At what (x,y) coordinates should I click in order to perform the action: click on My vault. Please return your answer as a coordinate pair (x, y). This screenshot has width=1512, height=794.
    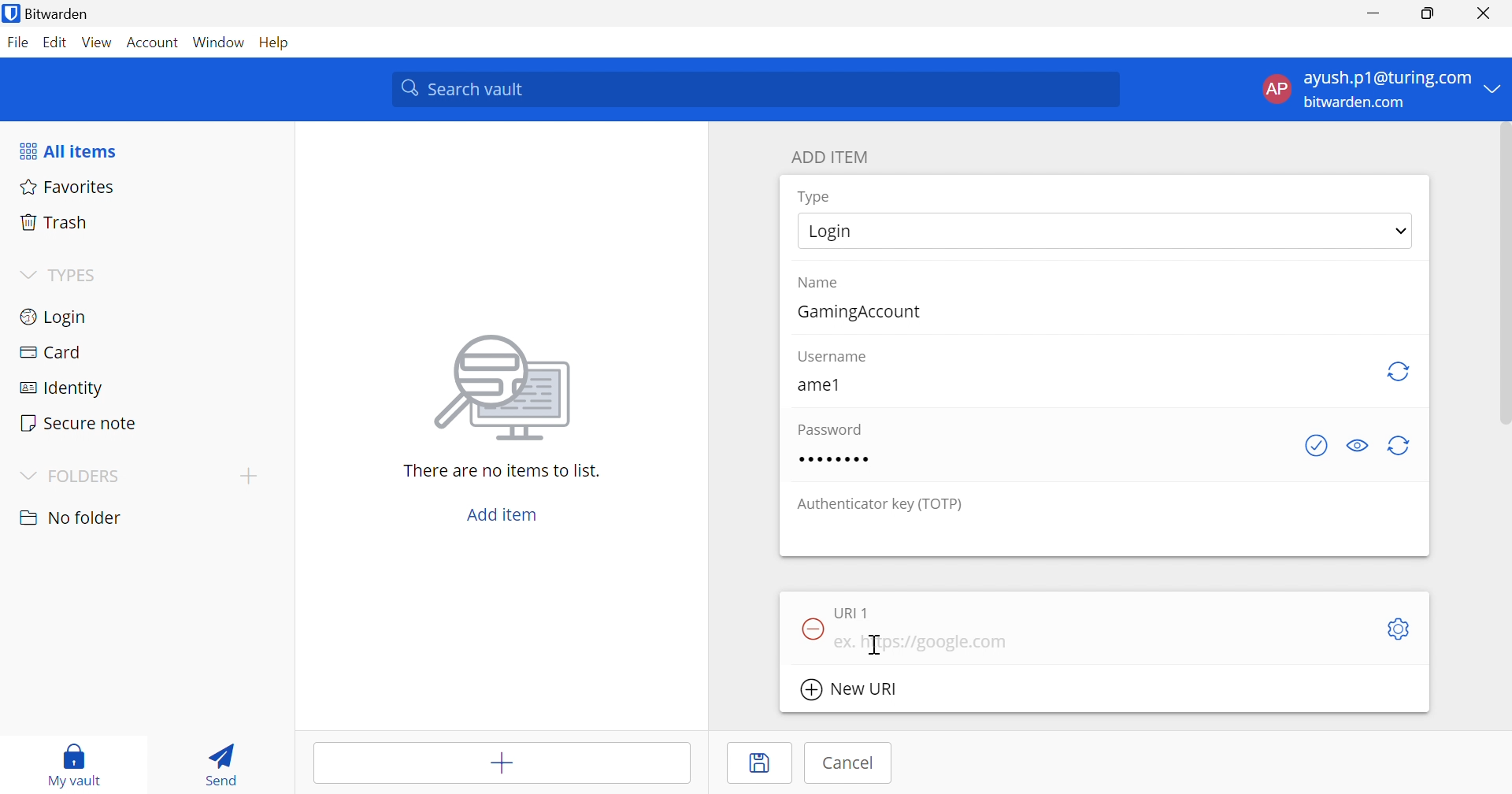
    Looking at the image, I should click on (72, 762).